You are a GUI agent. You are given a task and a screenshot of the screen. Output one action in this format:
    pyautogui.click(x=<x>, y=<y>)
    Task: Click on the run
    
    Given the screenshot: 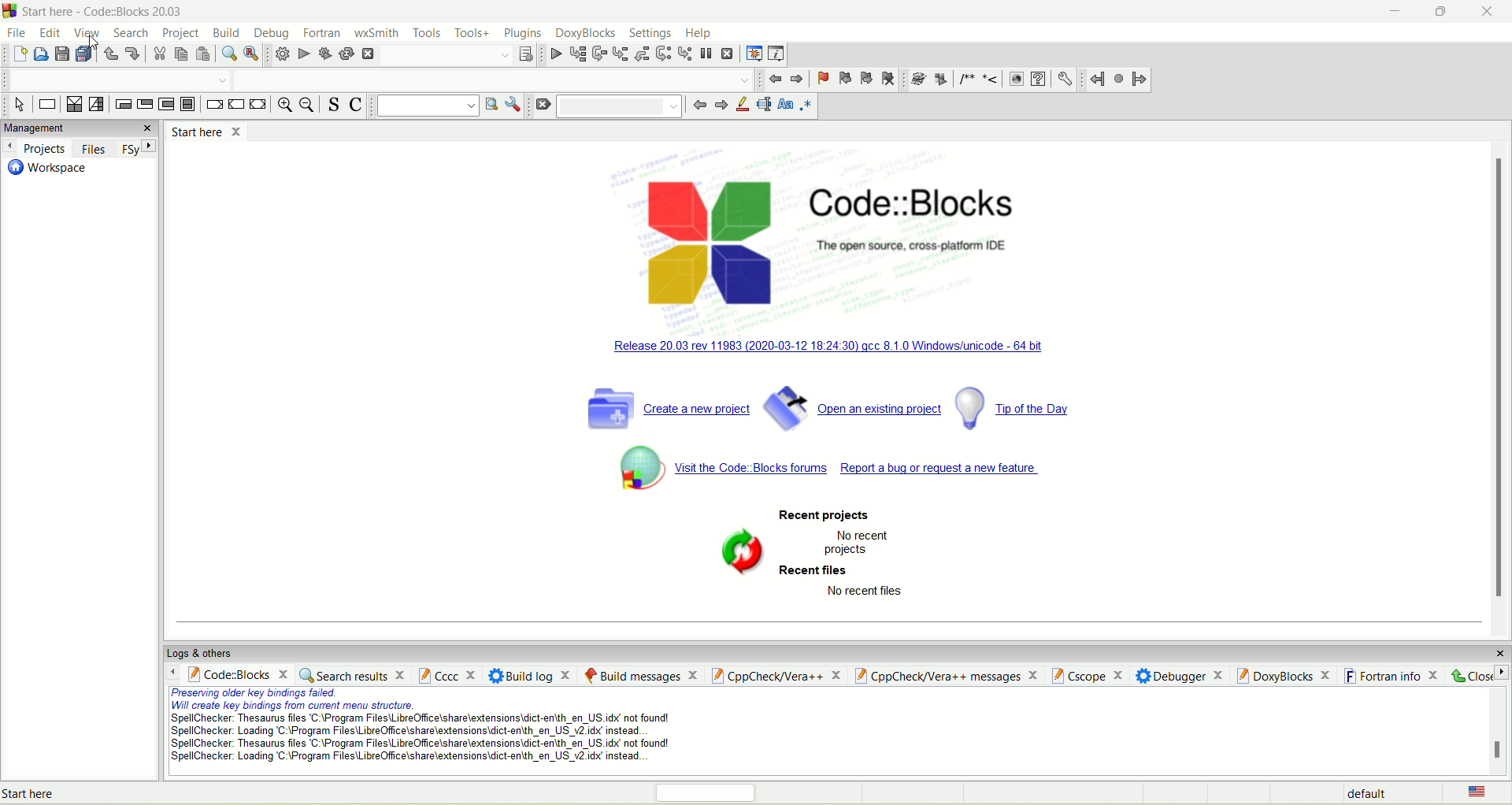 What is the action you would take?
    pyautogui.click(x=302, y=54)
    